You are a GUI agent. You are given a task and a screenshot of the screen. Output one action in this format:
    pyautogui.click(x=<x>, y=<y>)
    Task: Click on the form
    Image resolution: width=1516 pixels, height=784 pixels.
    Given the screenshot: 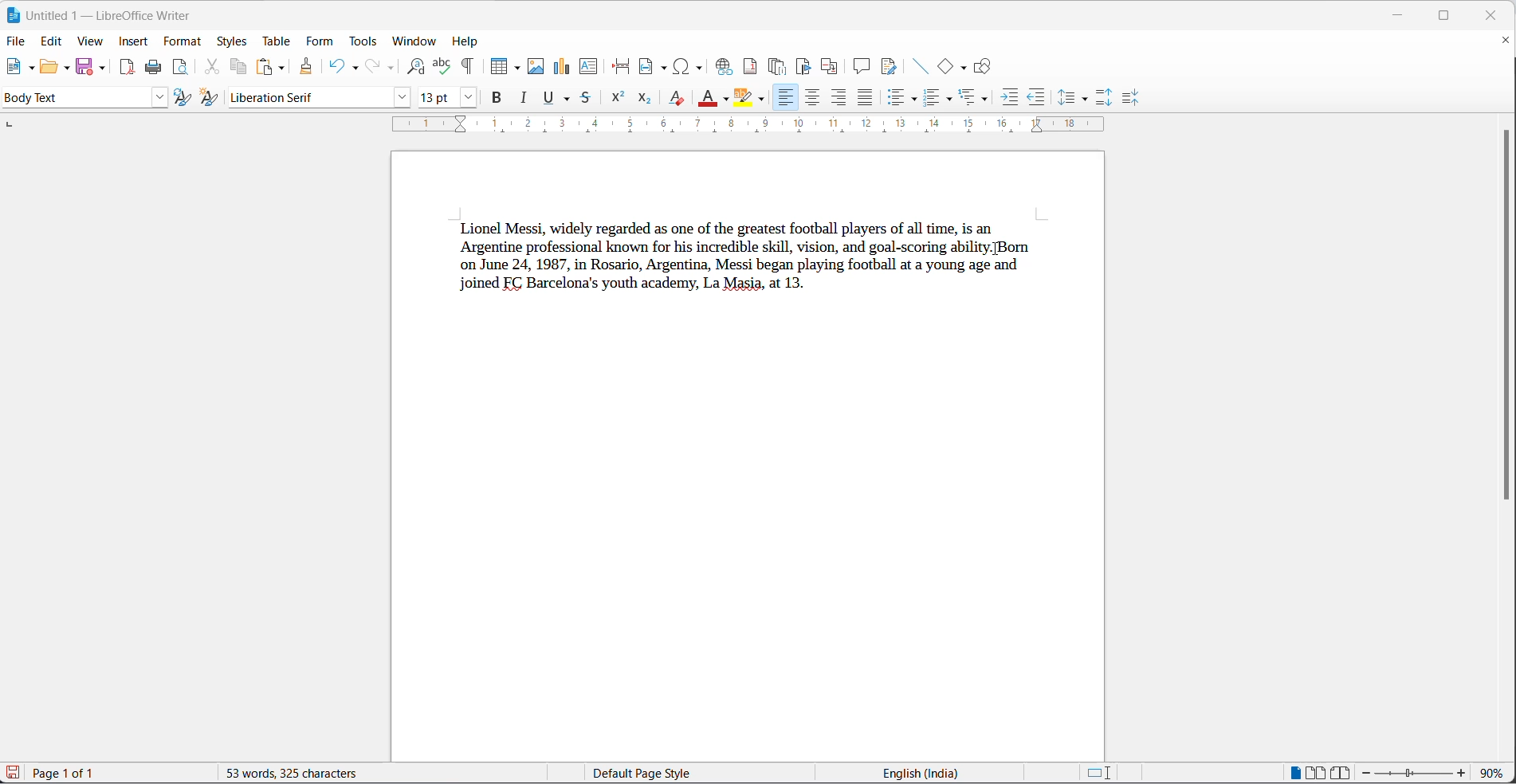 What is the action you would take?
    pyautogui.click(x=322, y=41)
    